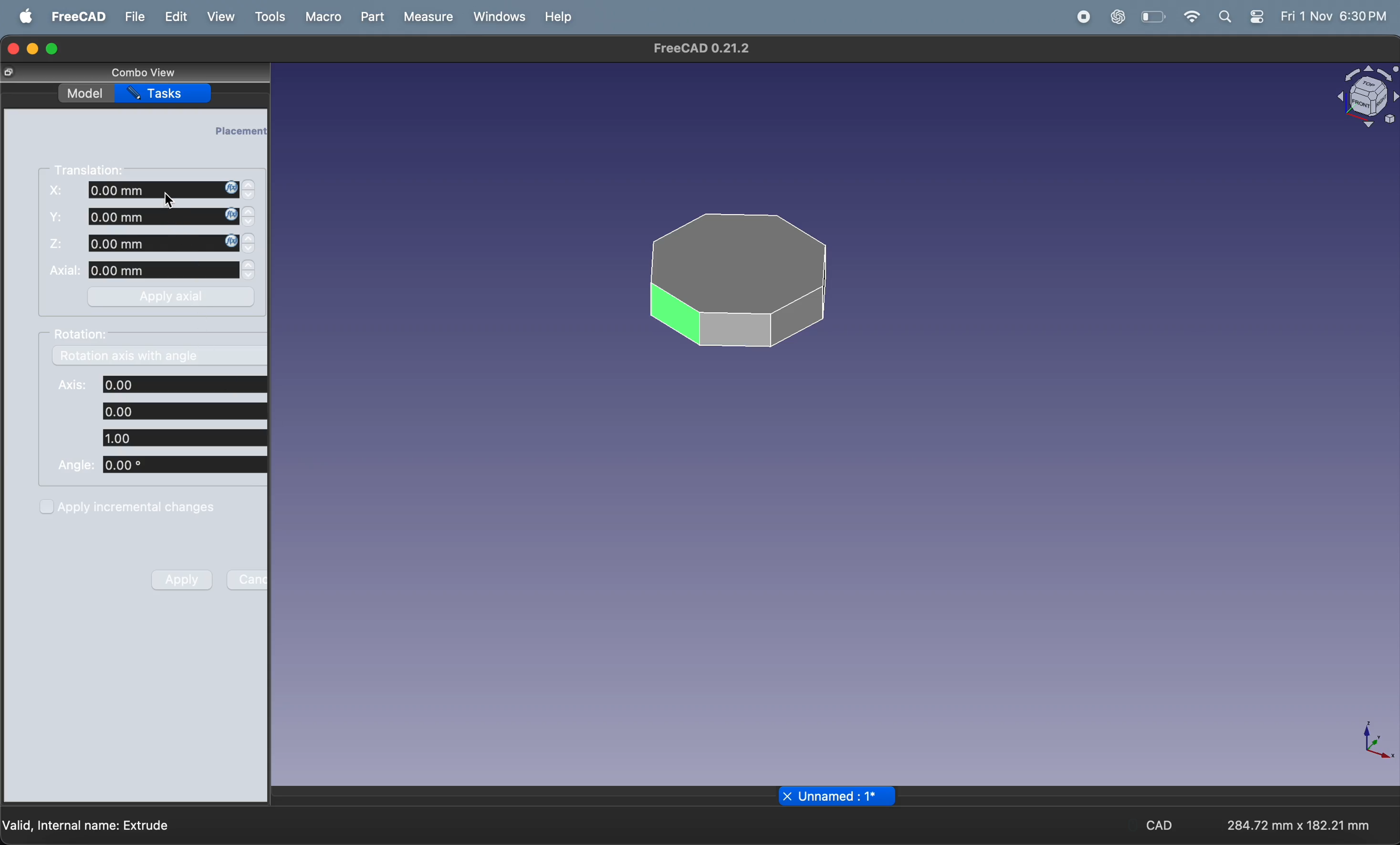 The image size is (1400, 845). What do you see at coordinates (1336, 16) in the screenshot?
I see `Fri 1 Nov 6:30PM` at bounding box center [1336, 16].